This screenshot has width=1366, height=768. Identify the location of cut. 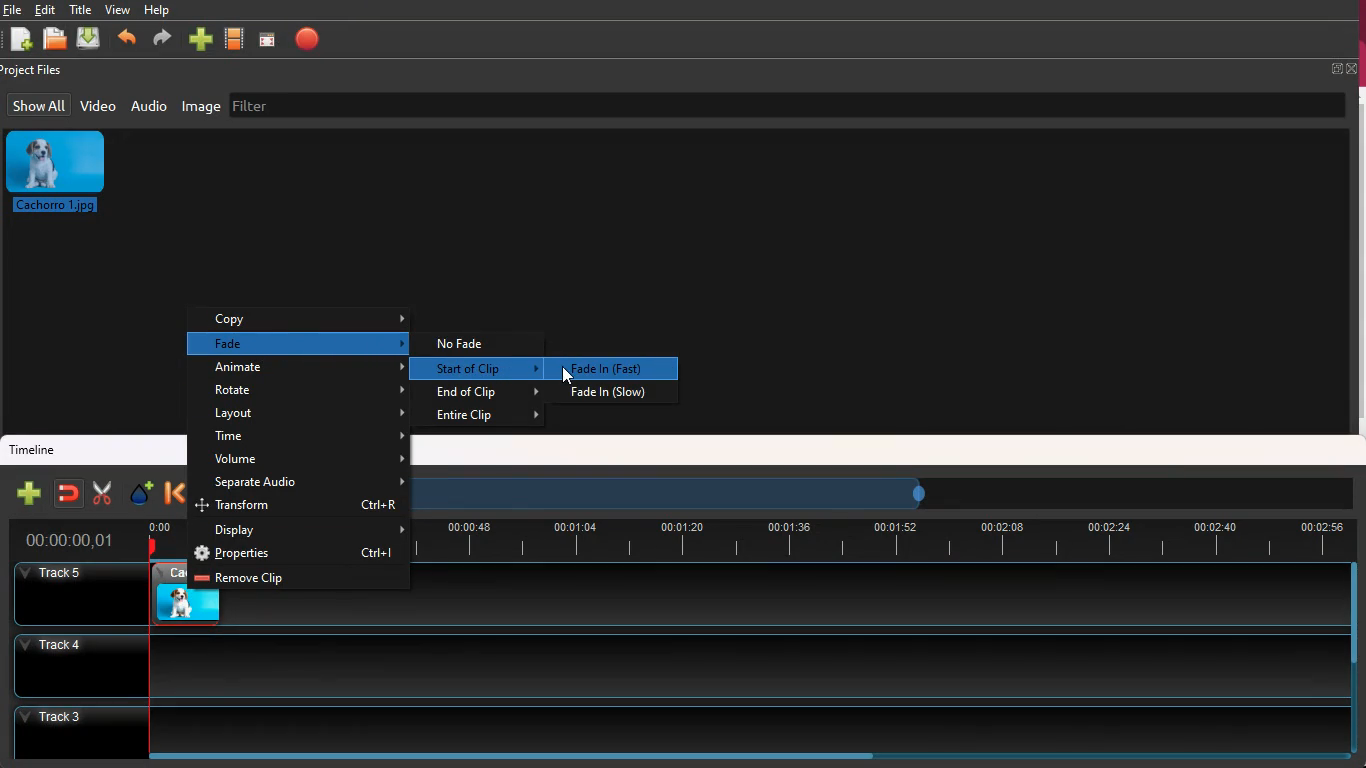
(101, 491).